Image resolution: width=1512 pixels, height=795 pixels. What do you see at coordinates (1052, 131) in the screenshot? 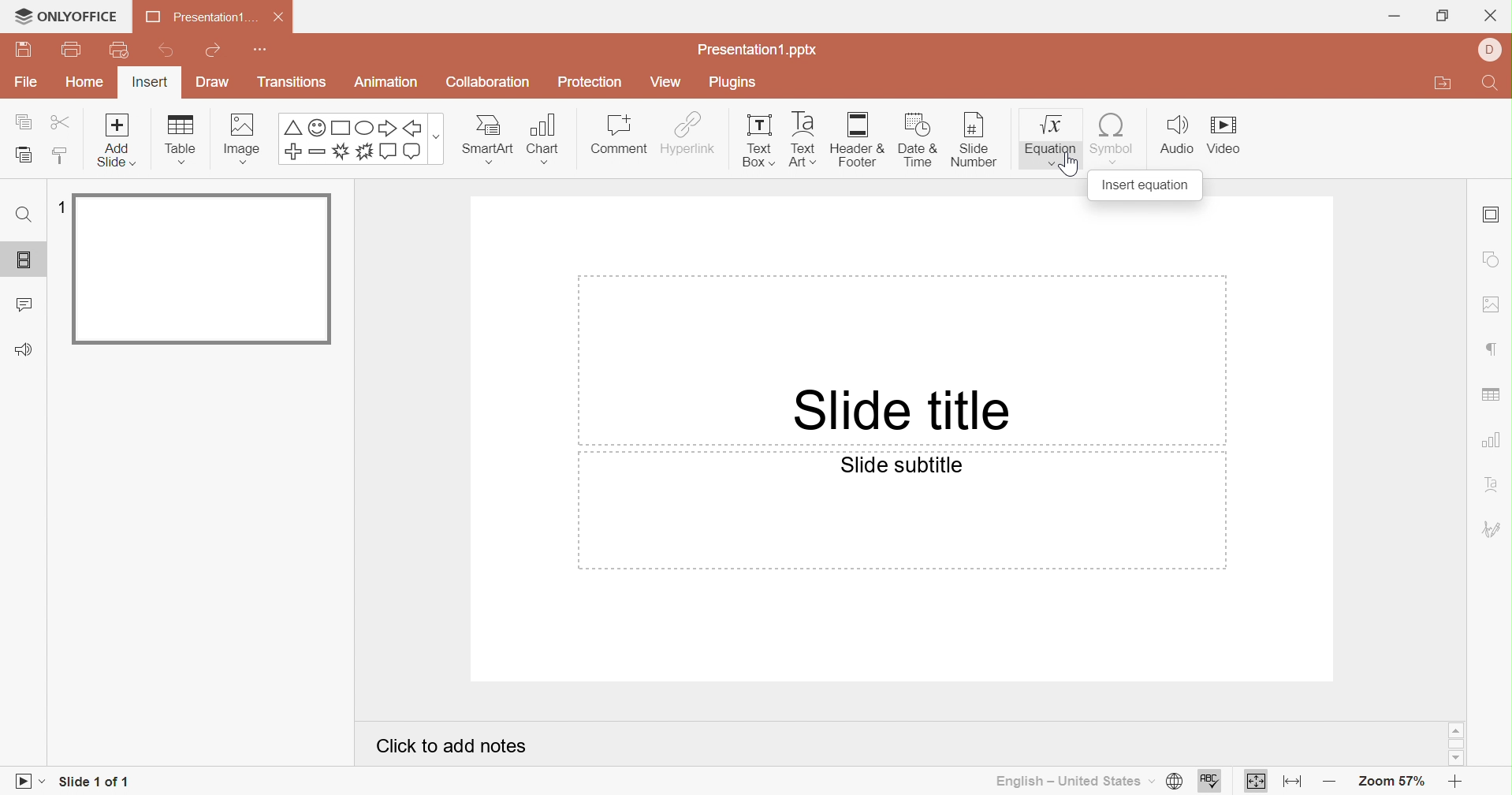
I see `Equation` at bounding box center [1052, 131].